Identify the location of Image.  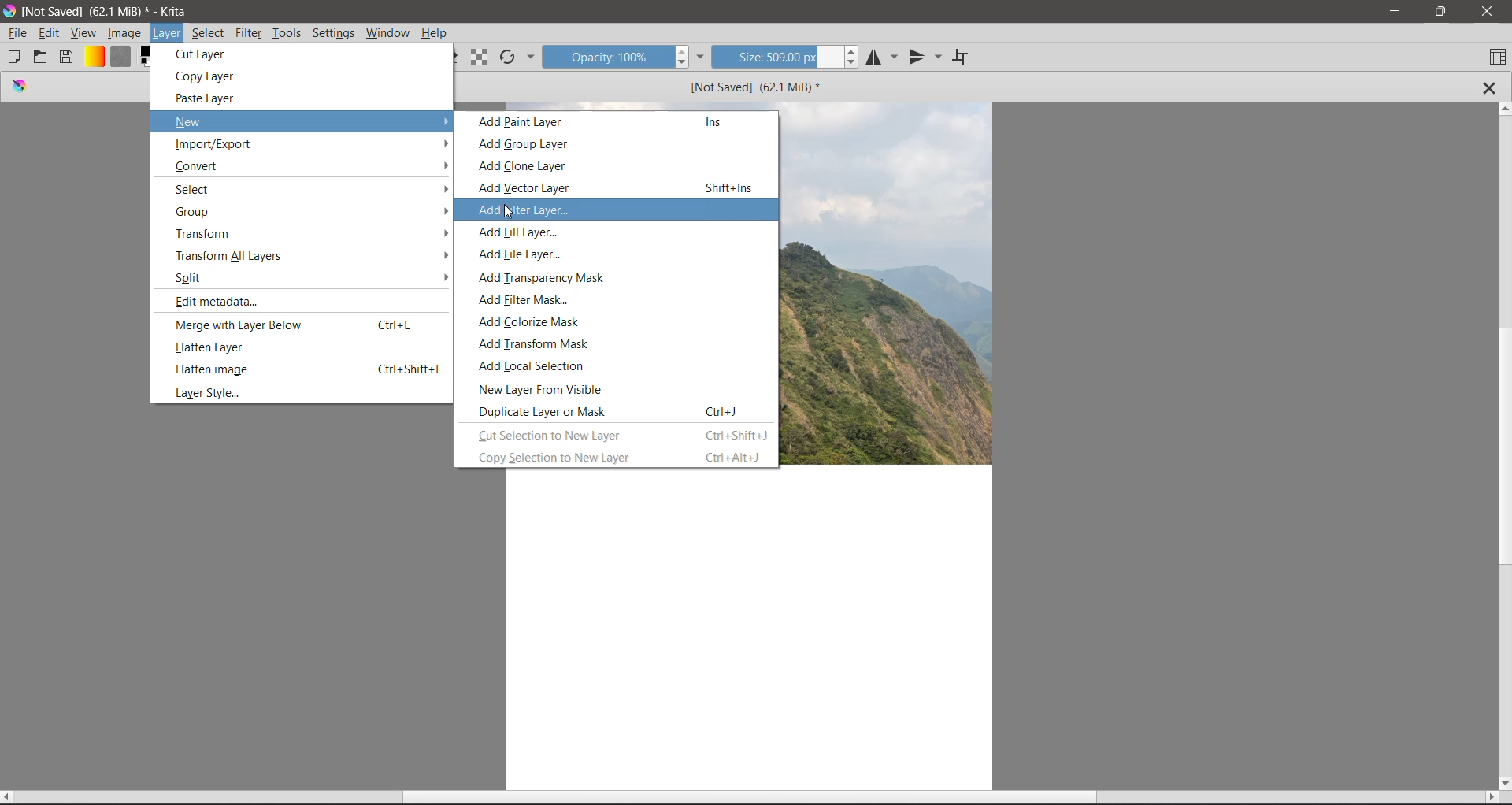
(125, 32).